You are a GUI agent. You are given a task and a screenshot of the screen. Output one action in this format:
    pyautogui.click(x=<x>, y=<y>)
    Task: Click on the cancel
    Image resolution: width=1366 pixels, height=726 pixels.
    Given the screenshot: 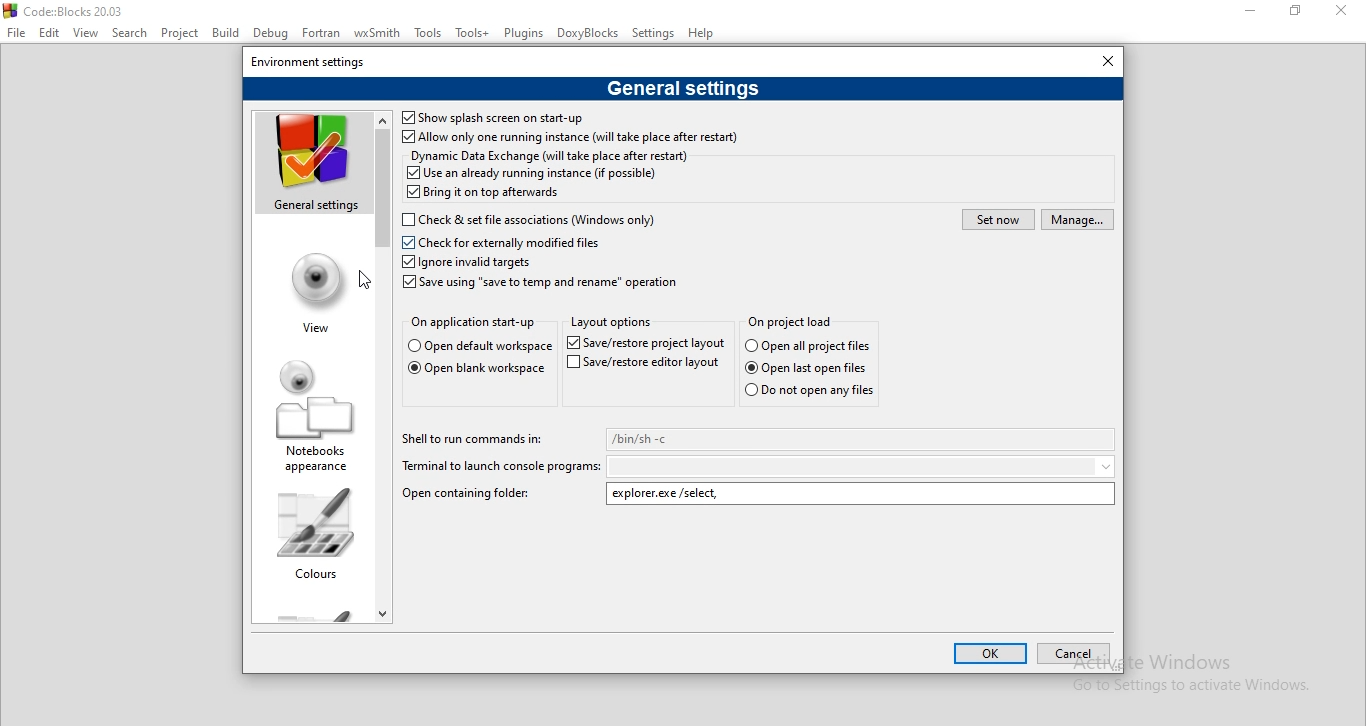 What is the action you would take?
    pyautogui.click(x=1072, y=655)
    